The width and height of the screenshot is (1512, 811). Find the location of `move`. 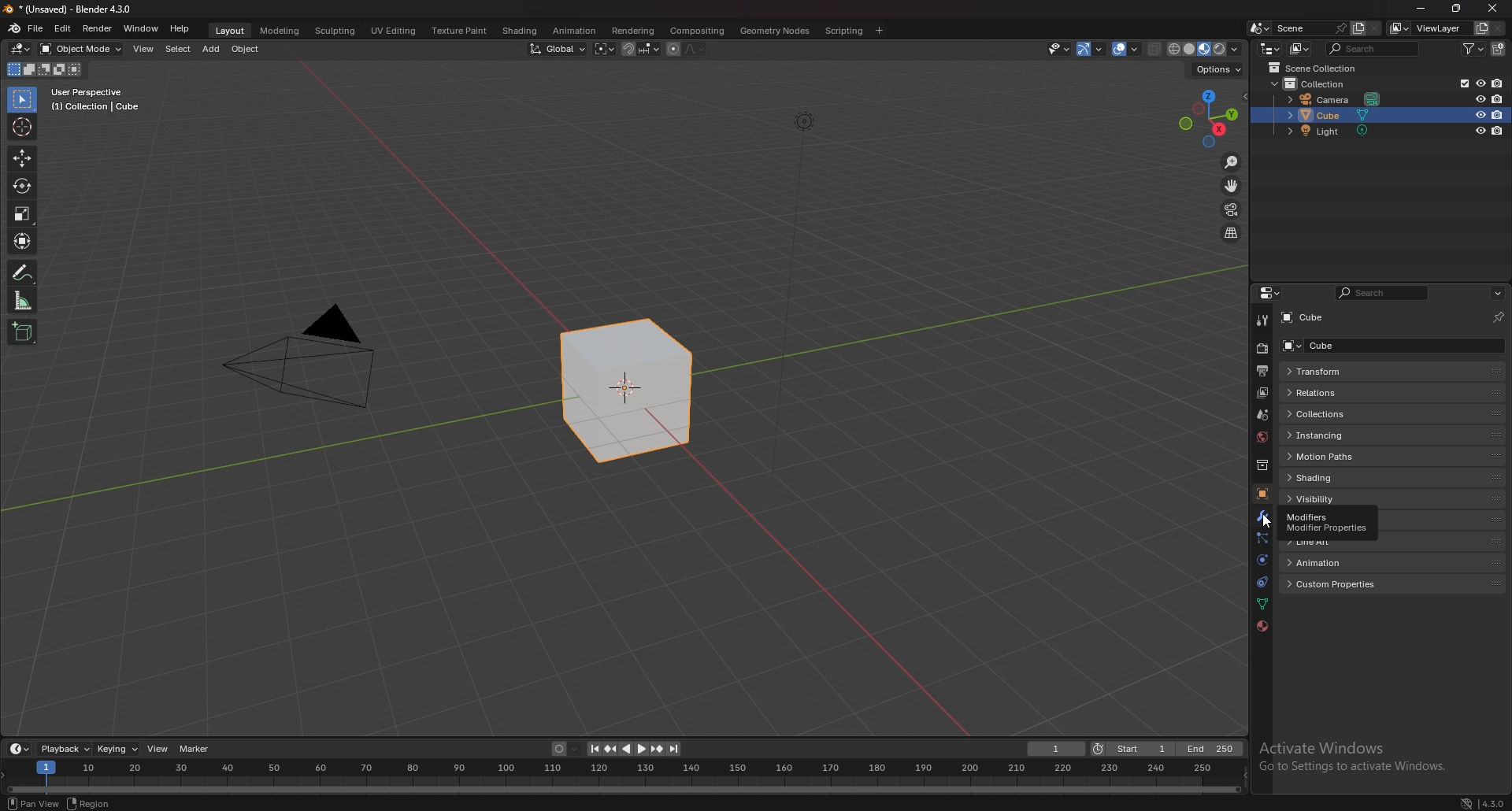

move is located at coordinates (24, 157).